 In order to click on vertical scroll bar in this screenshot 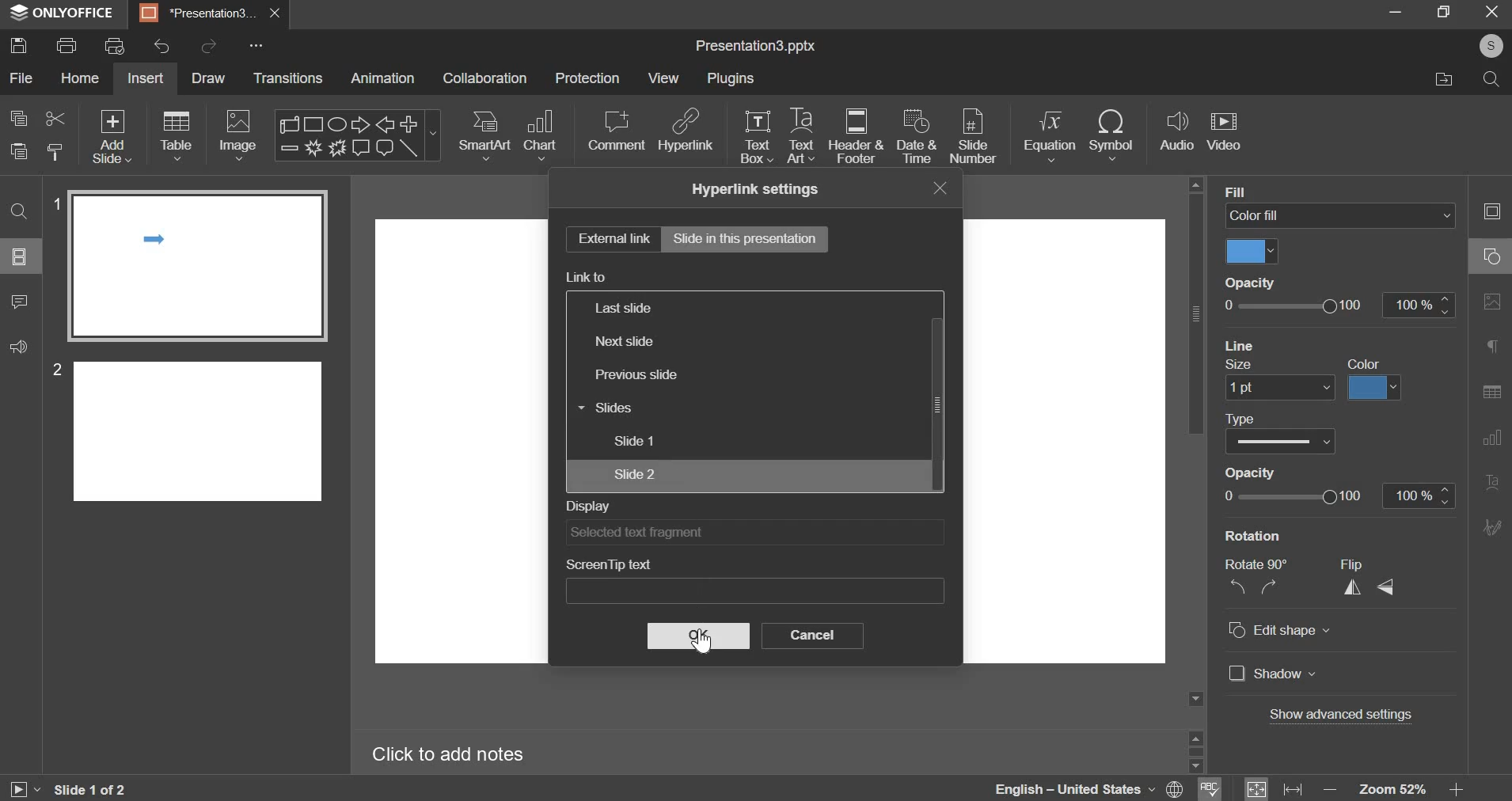, I will do `click(941, 401)`.